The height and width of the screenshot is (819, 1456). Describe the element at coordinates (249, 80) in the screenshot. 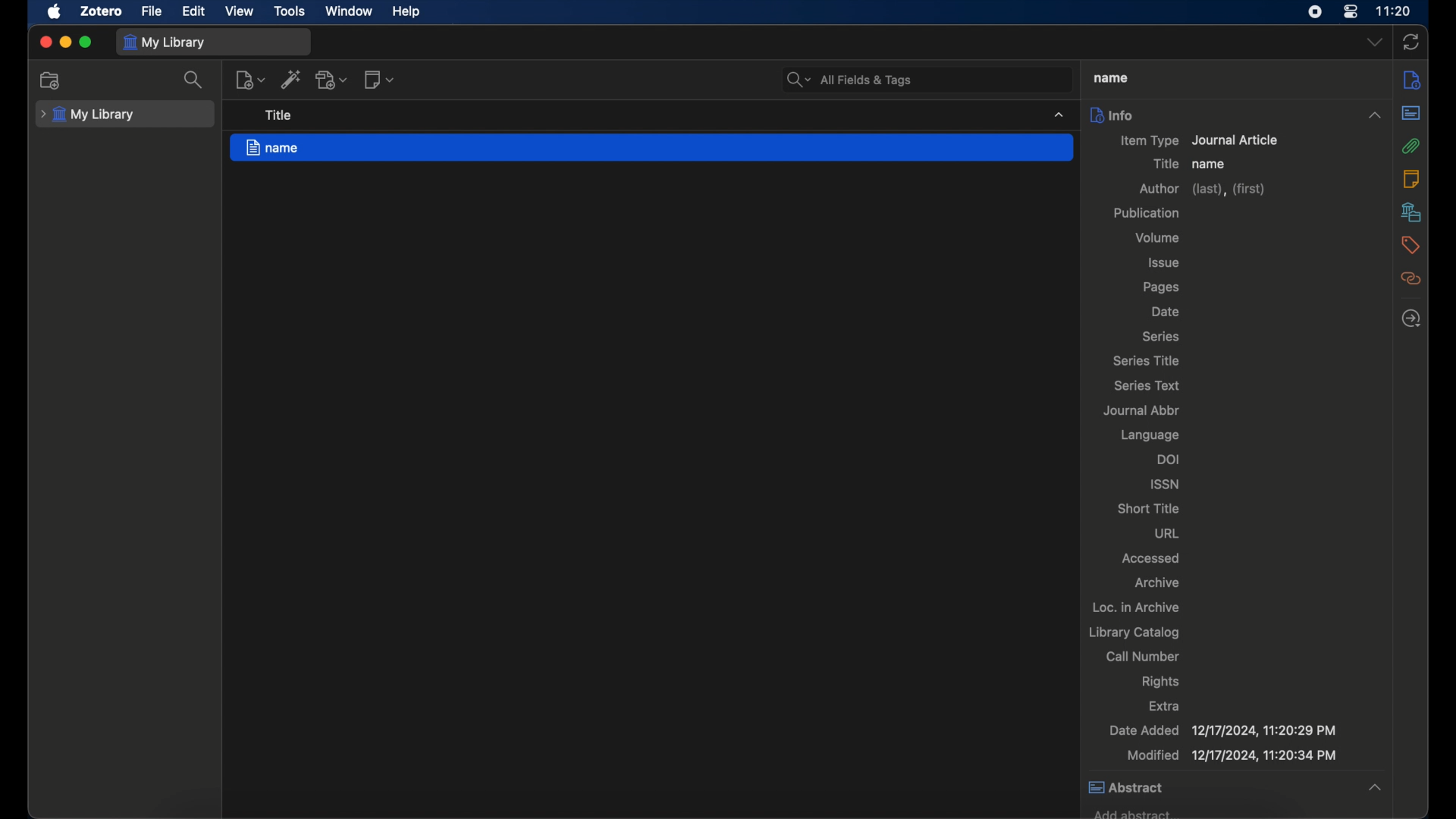

I see `new item` at that location.